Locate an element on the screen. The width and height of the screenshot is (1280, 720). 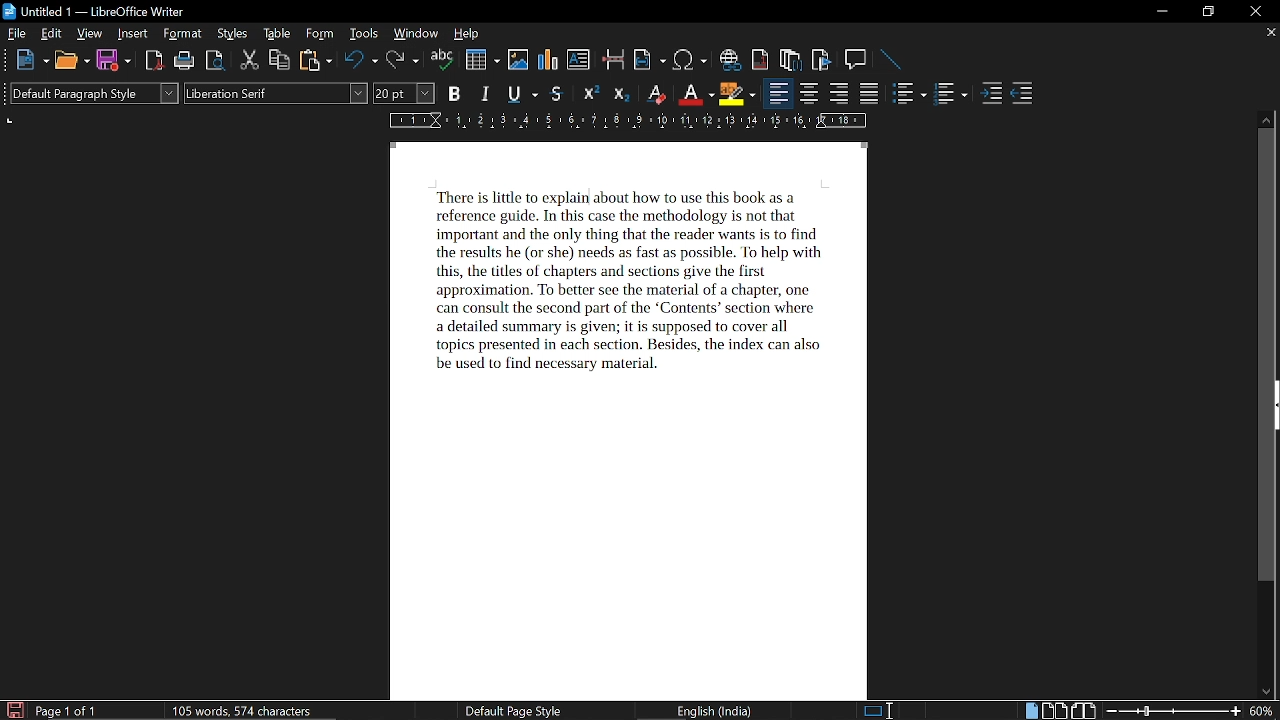
print is located at coordinates (185, 61).